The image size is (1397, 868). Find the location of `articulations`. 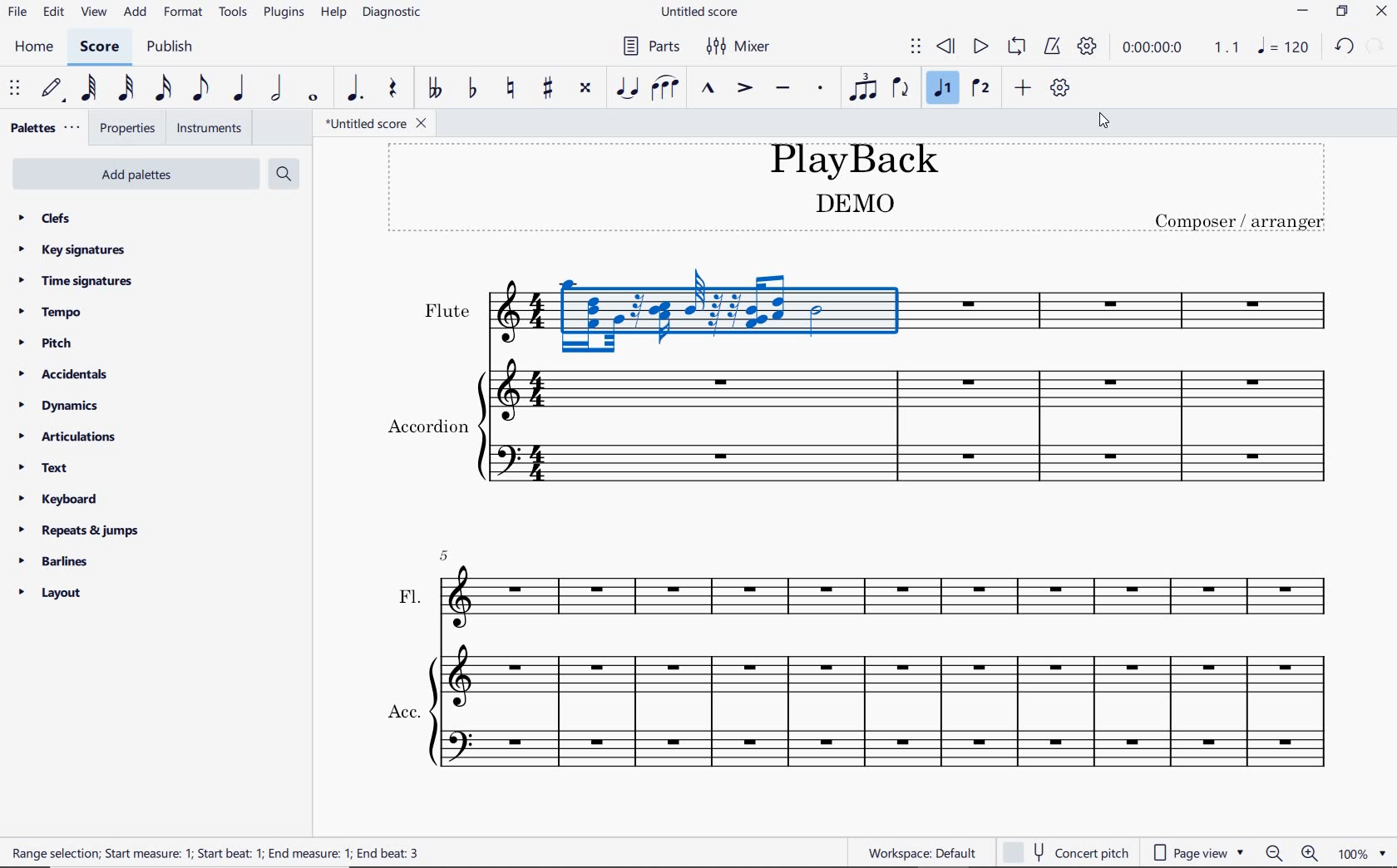

articulations is located at coordinates (64, 437).